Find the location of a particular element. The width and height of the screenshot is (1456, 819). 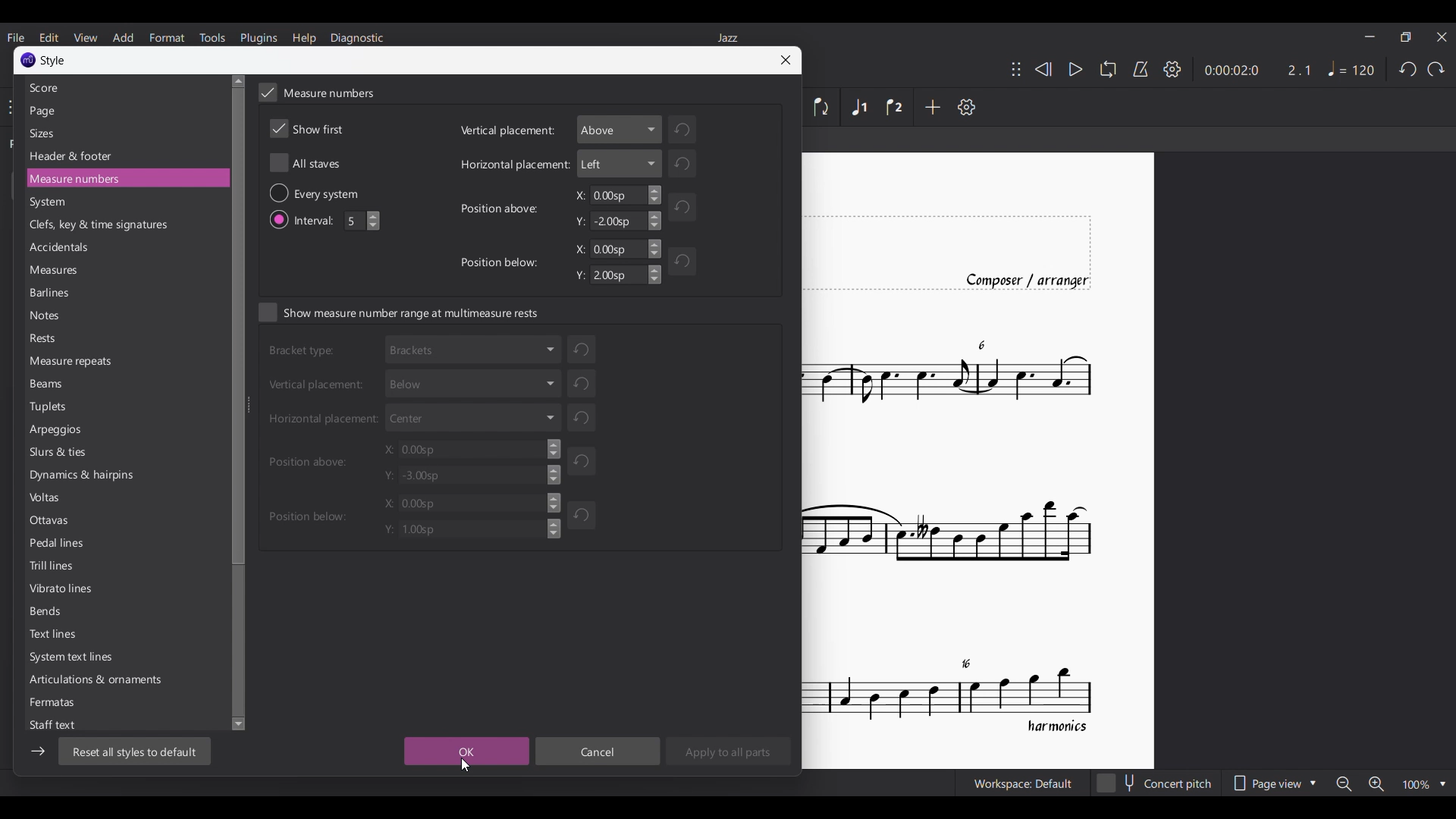

Help menu is located at coordinates (304, 38).